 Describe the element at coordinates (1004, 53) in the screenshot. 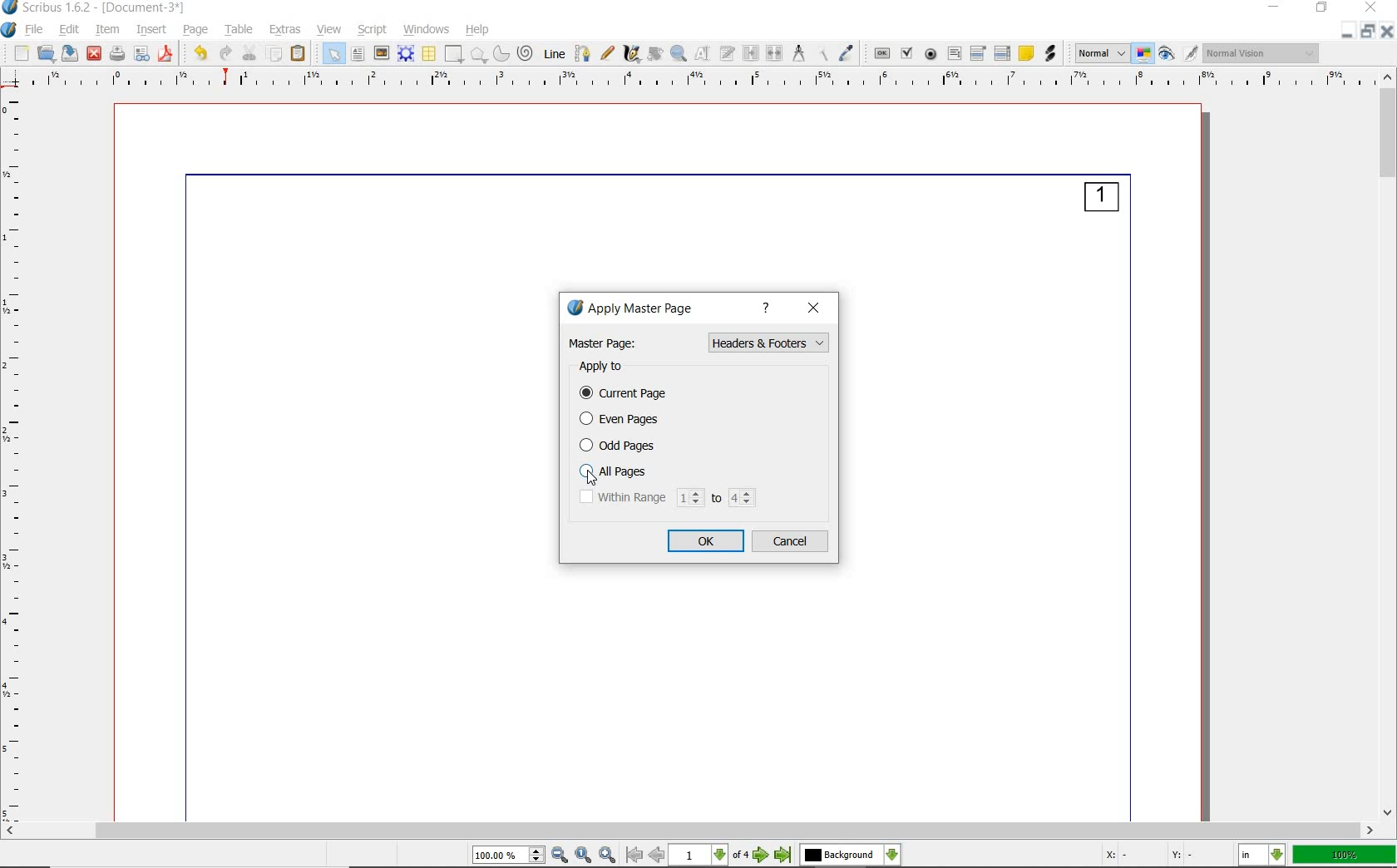

I see `pdf list box` at that location.